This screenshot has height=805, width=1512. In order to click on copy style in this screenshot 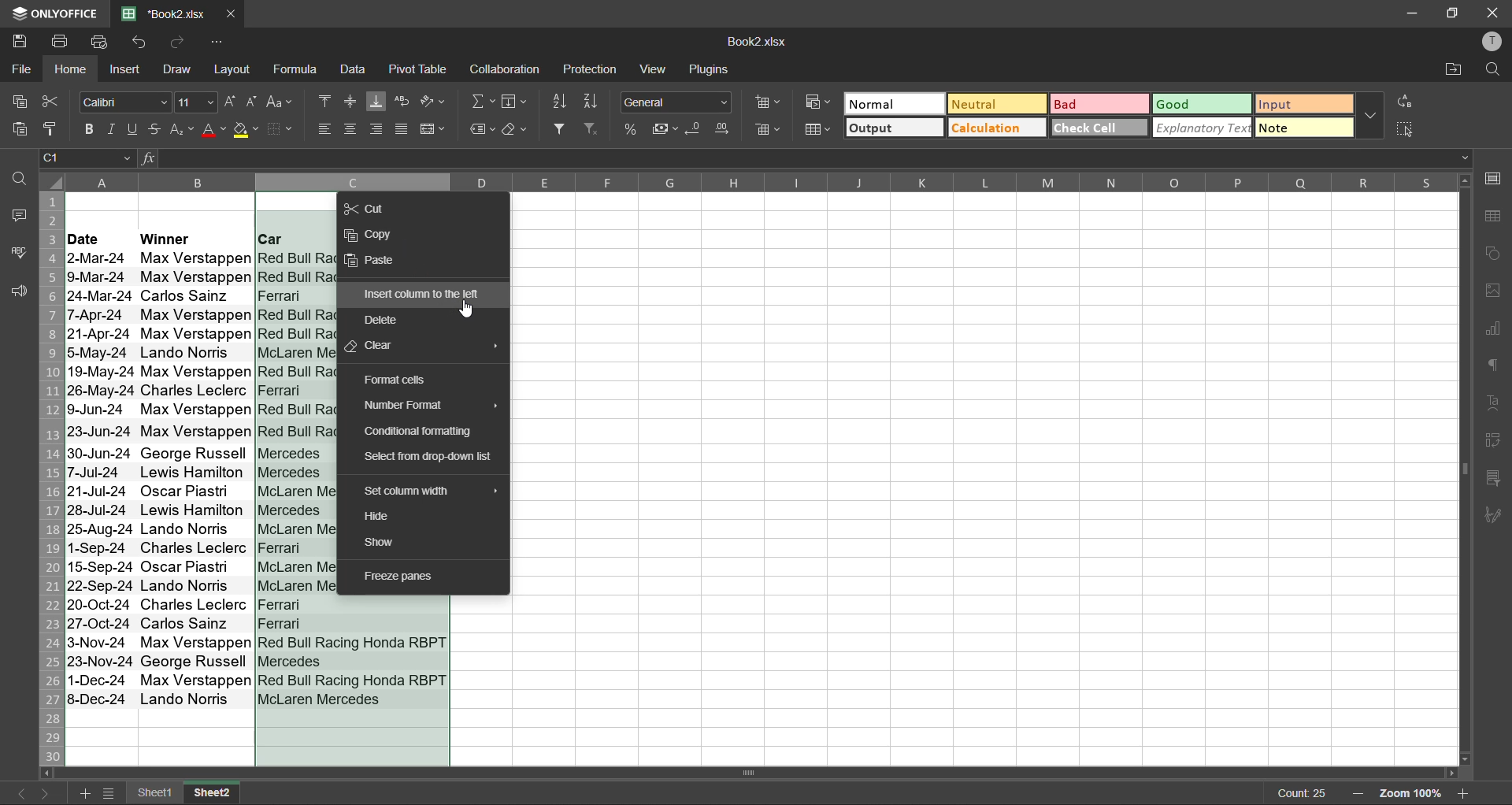, I will do `click(56, 130)`.